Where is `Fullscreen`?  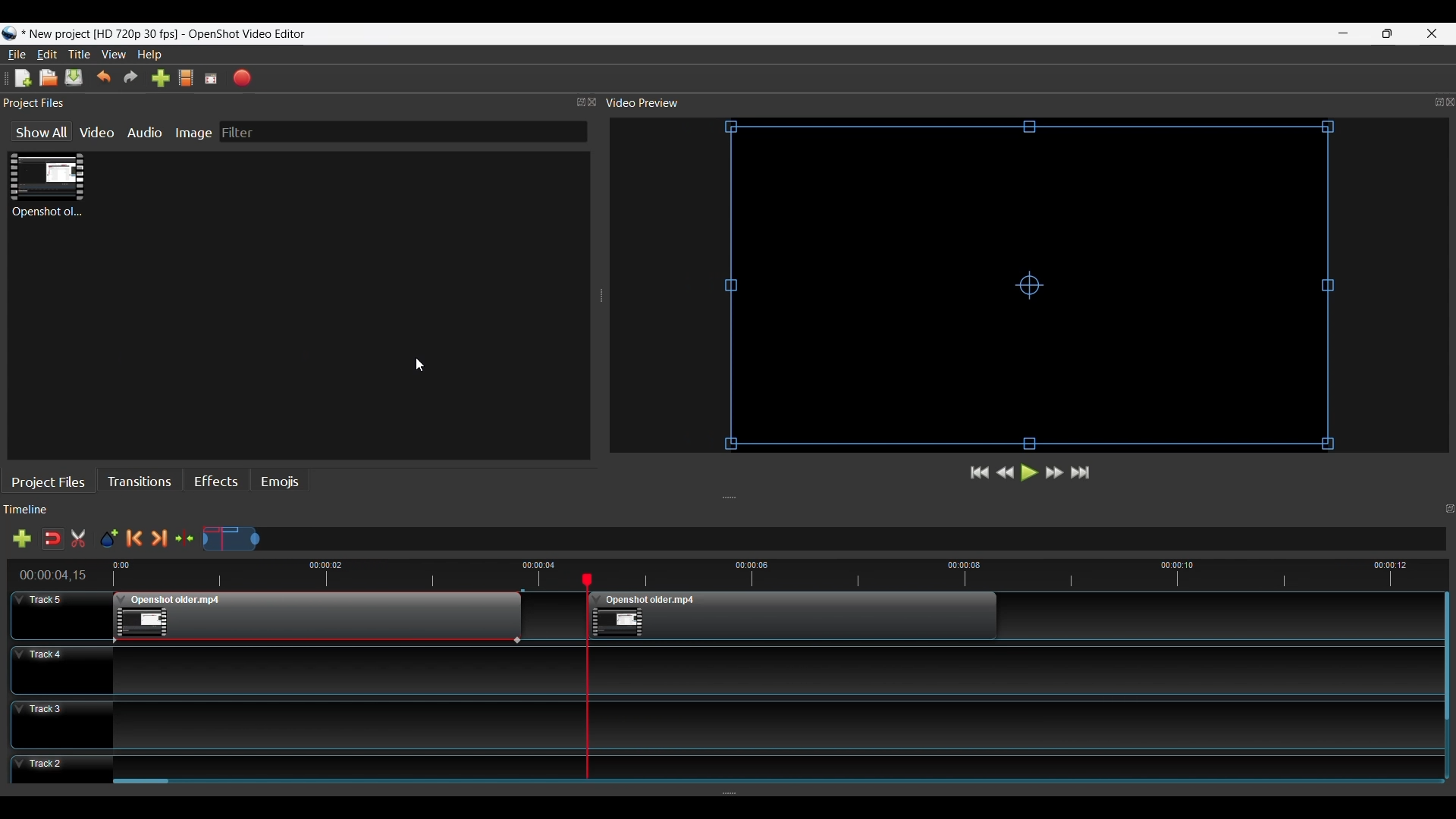
Fullscreen is located at coordinates (212, 78).